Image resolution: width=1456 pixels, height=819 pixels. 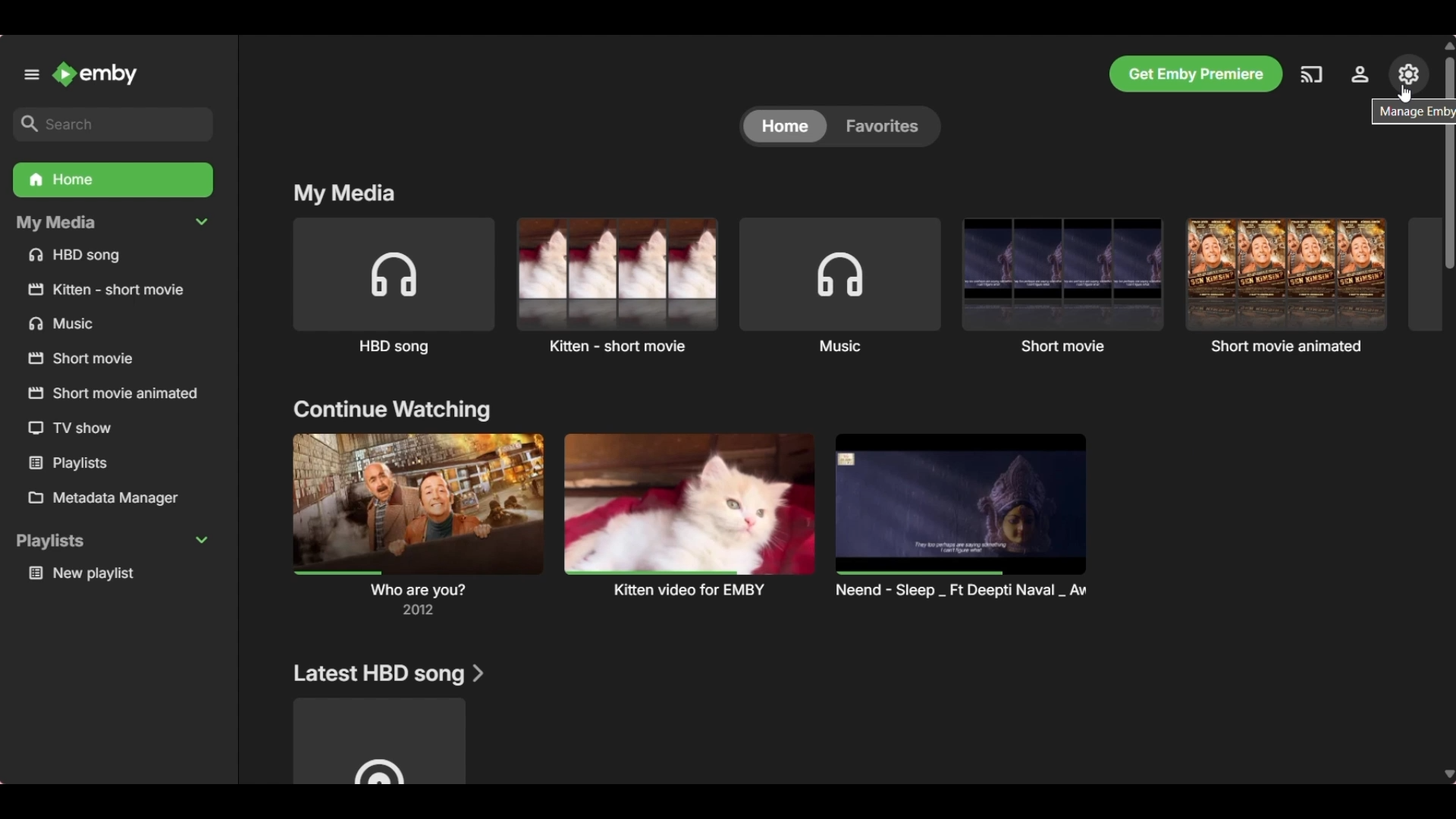 What do you see at coordinates (1359, 74) in the screenshot?
I see `Settings` at bounding box center [1359, 74].